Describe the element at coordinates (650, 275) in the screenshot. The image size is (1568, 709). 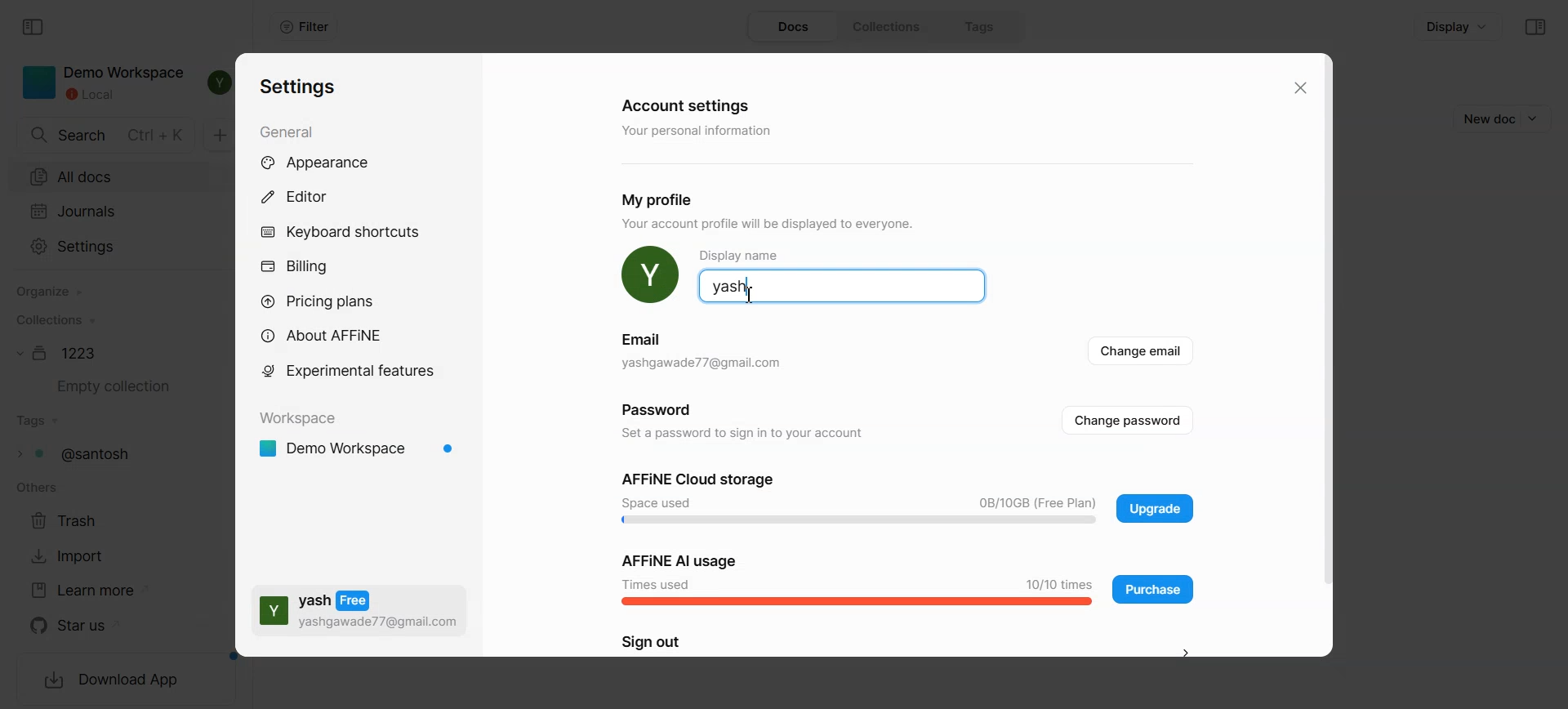
I see `Profile Pic` at that location.